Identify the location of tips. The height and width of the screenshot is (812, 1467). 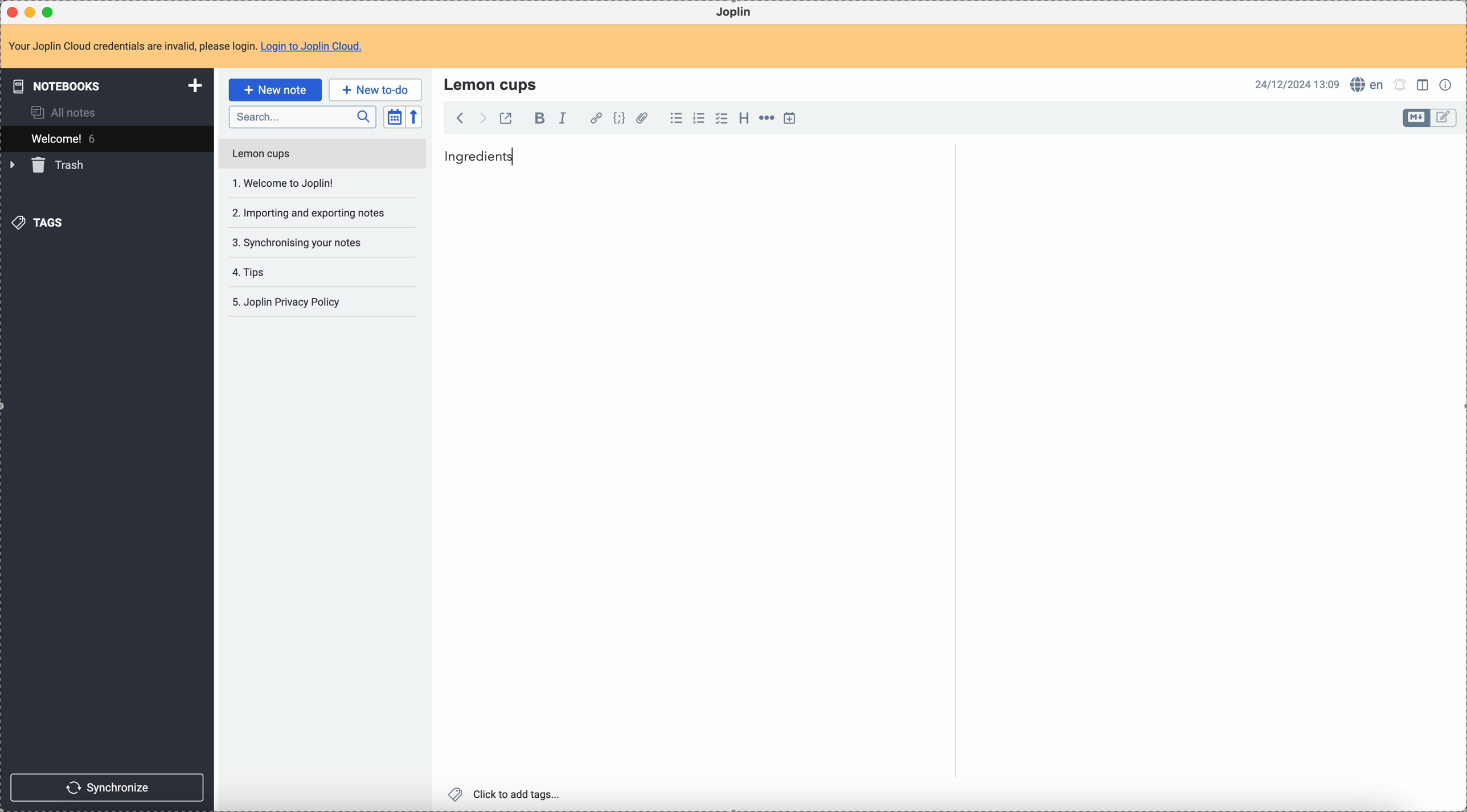
(251, 273).